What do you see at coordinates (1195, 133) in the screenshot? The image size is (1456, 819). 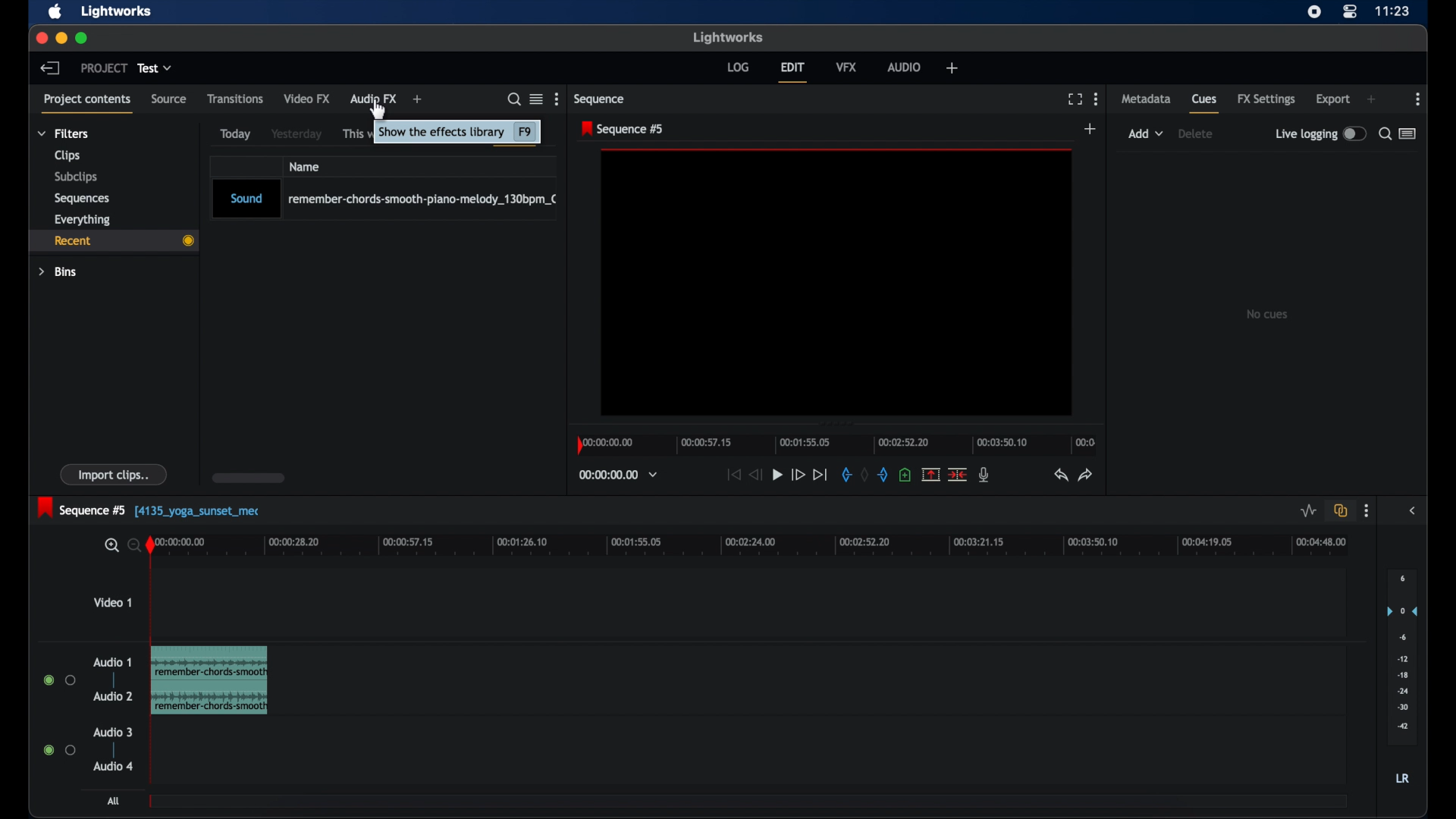 I see `delete` at bounding box center [1195, 133].